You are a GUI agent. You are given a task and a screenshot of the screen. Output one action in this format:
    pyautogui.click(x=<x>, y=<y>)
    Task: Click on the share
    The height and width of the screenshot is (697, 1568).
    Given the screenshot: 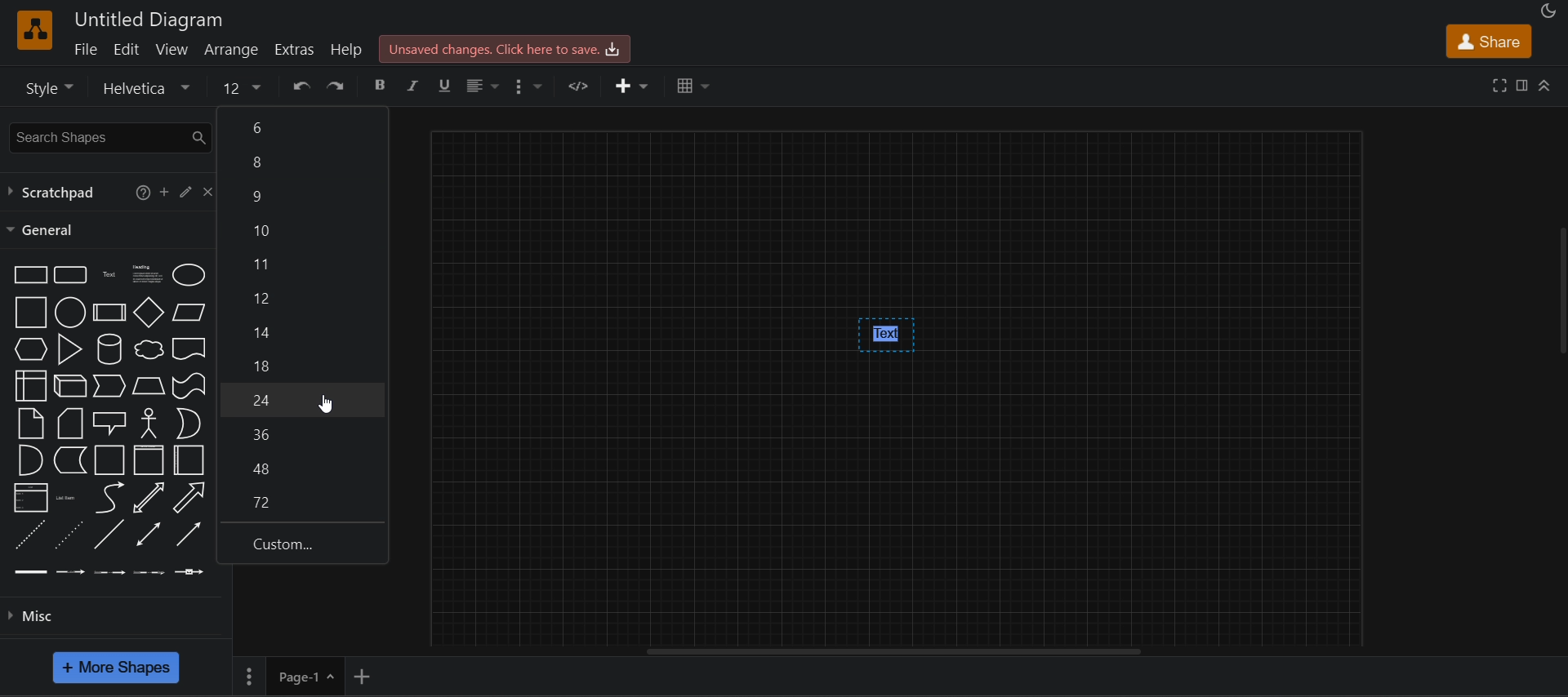 What is the action you would take?
    pyautogui.click(x=1490, y=41)
    